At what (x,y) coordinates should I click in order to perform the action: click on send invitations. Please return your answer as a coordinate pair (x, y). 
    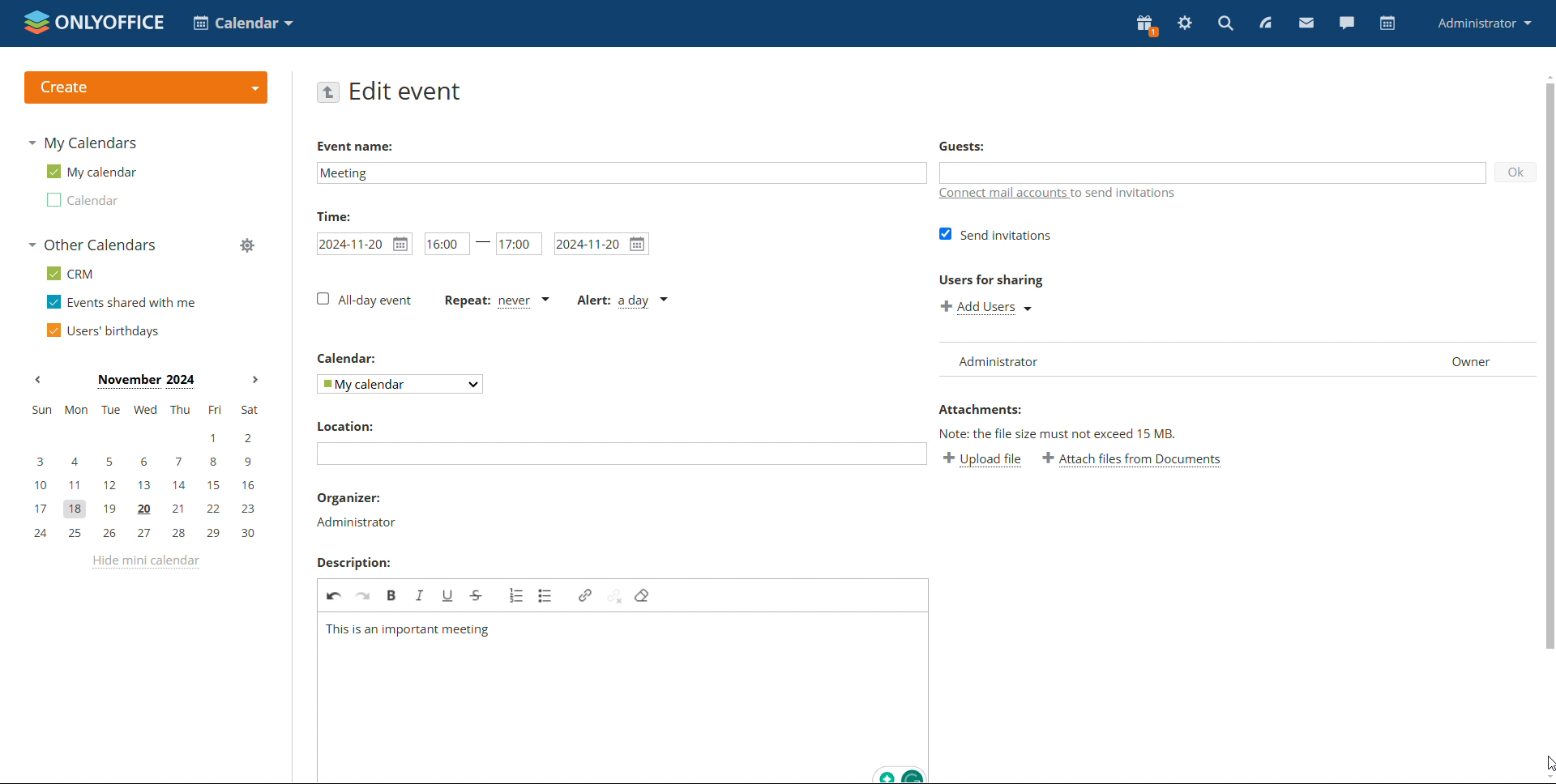
    Looking at the image, I should click on (994, 235).